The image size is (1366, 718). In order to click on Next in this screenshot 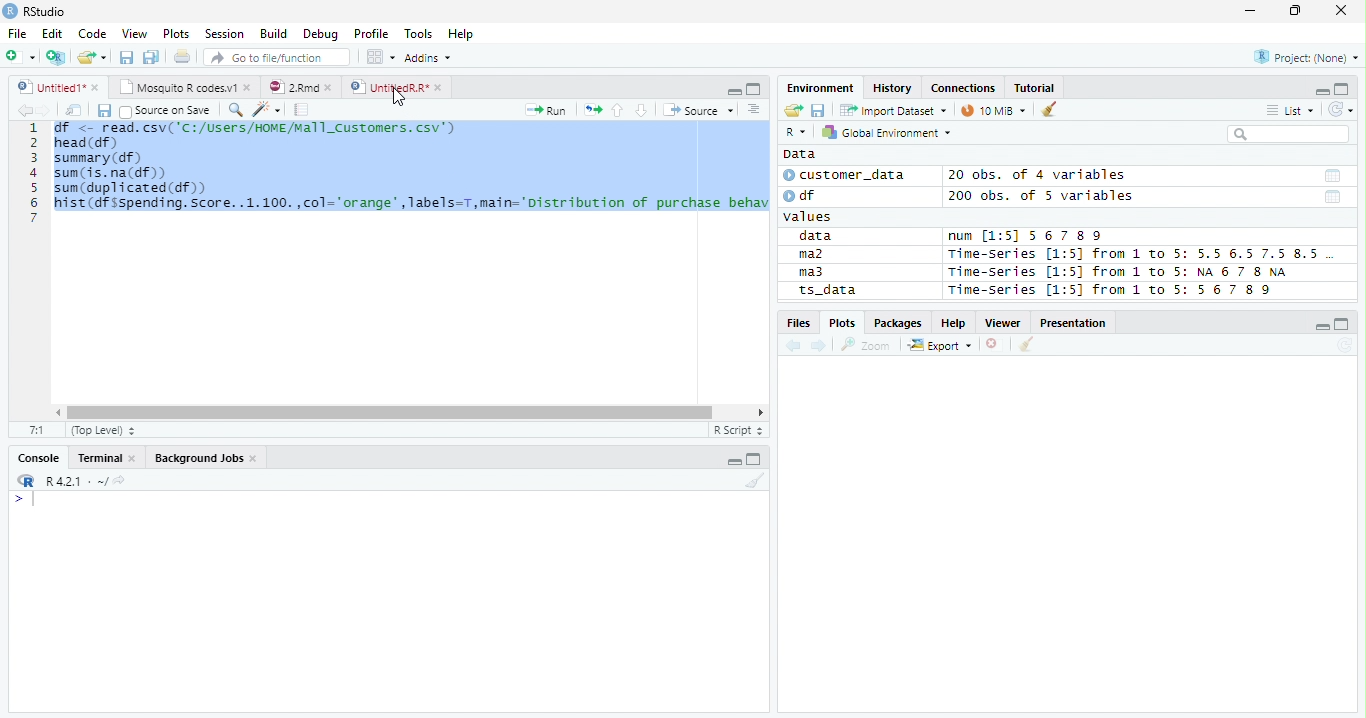, I will do `click(820, 347)`.